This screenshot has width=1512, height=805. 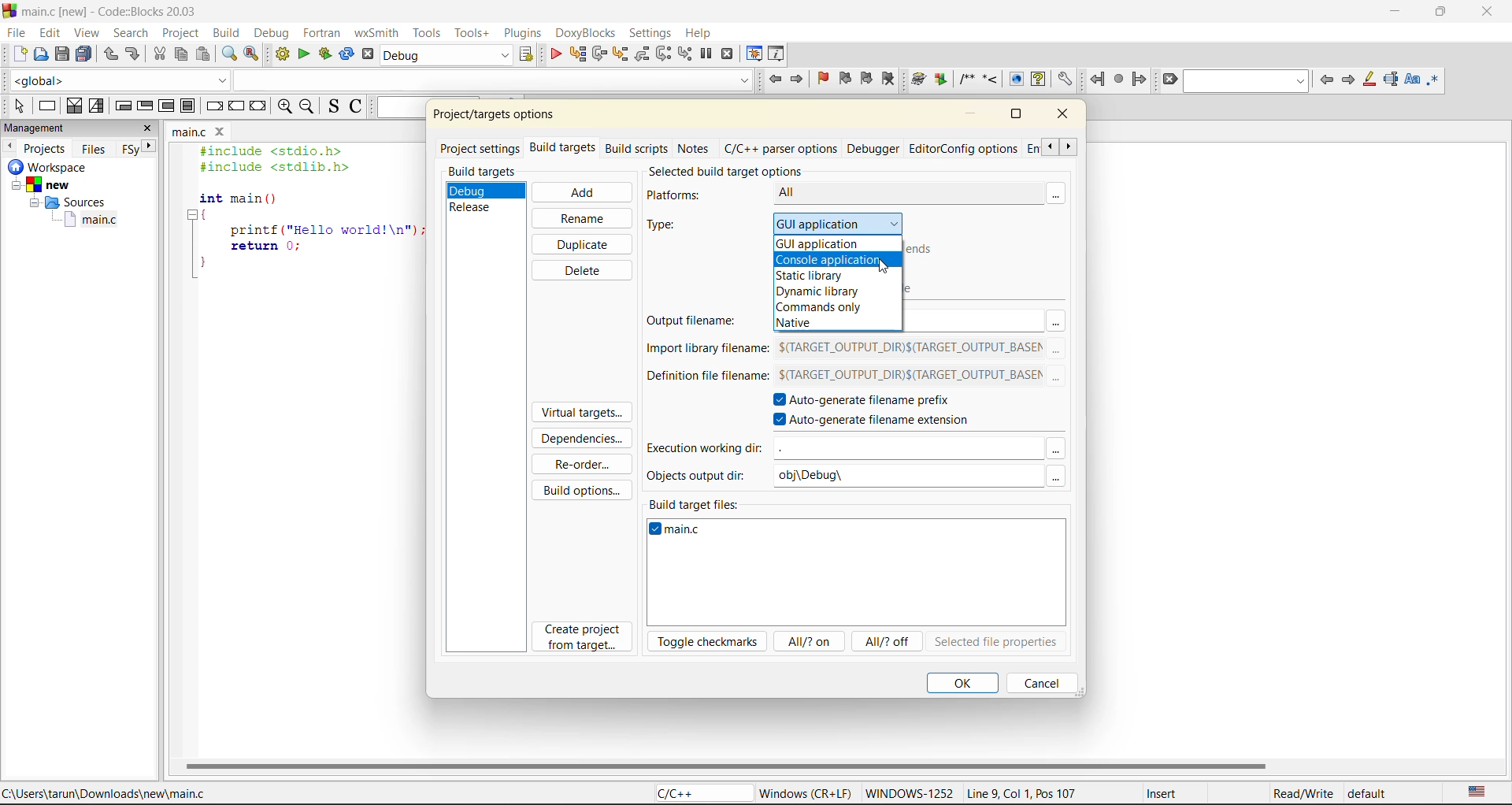 I want to click on debugging windows, so click(x=754, y=54).